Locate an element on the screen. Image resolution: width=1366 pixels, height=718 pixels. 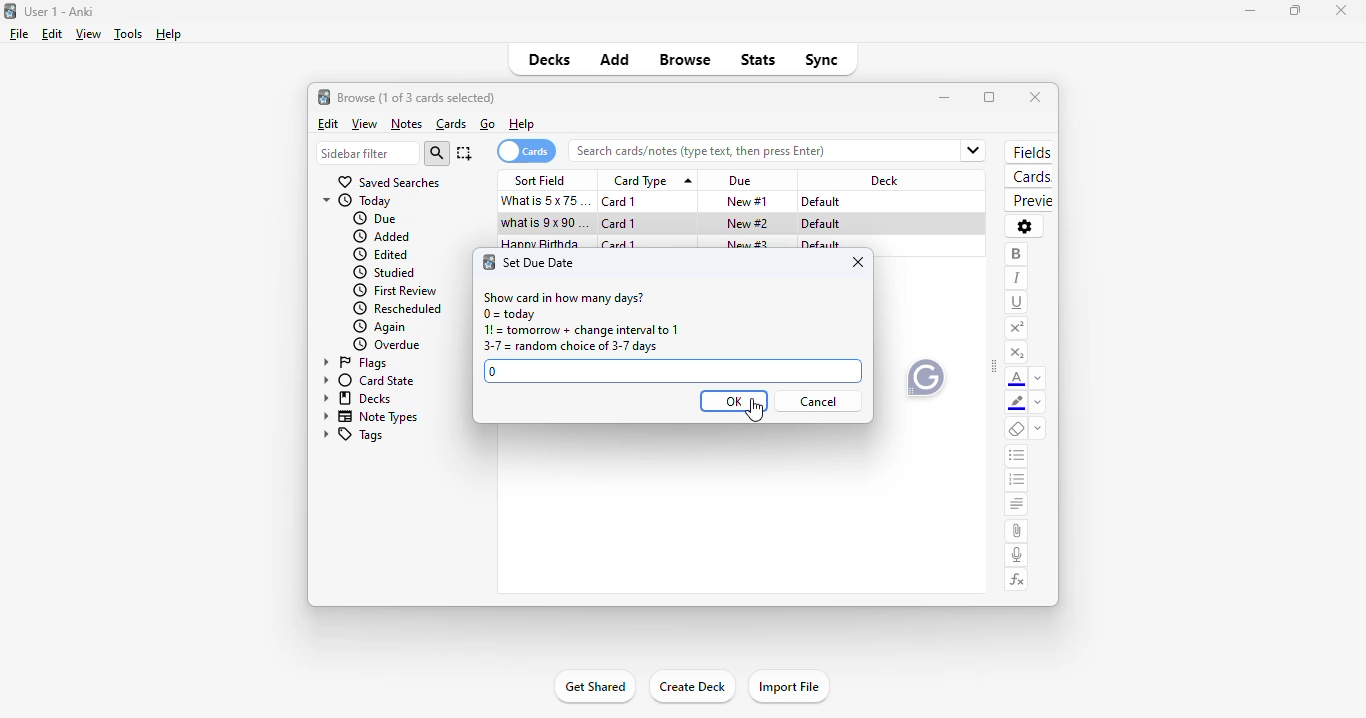
default is located at coordinates (820, 246).